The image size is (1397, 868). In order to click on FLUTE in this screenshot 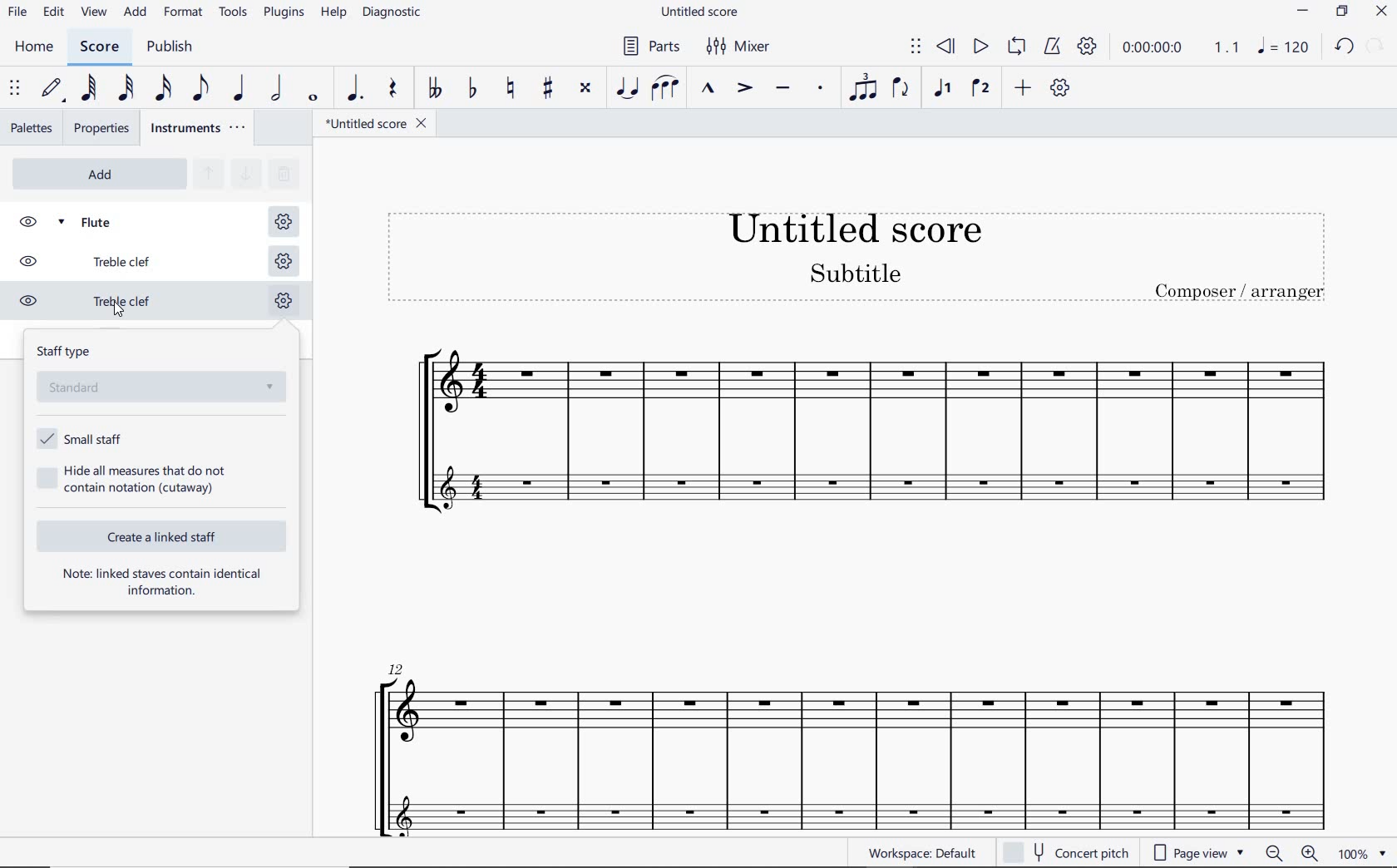, I will do `click(104, 220)`.